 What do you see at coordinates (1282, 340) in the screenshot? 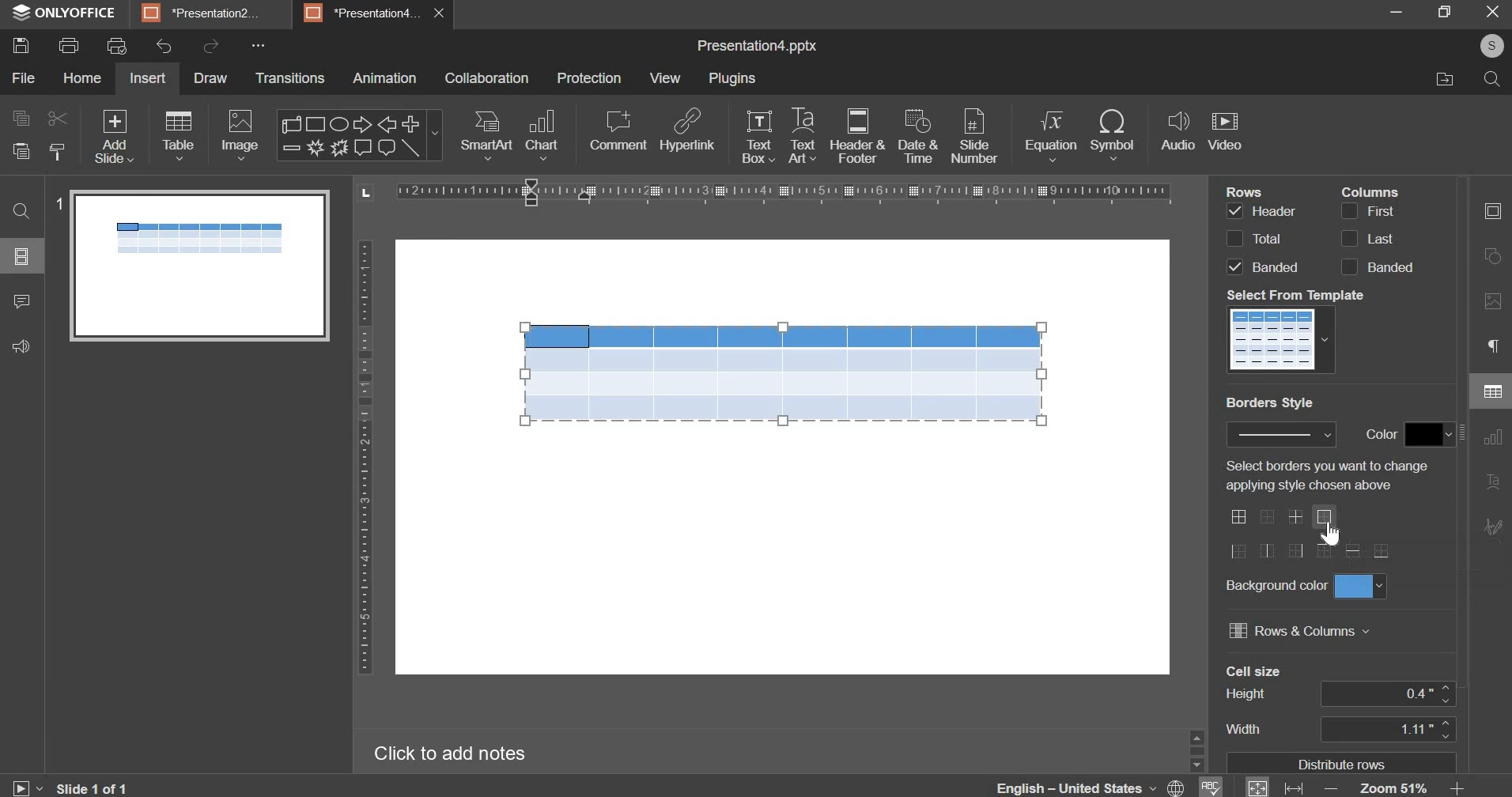
I see `table templates` at bounding box center [1282, 340].